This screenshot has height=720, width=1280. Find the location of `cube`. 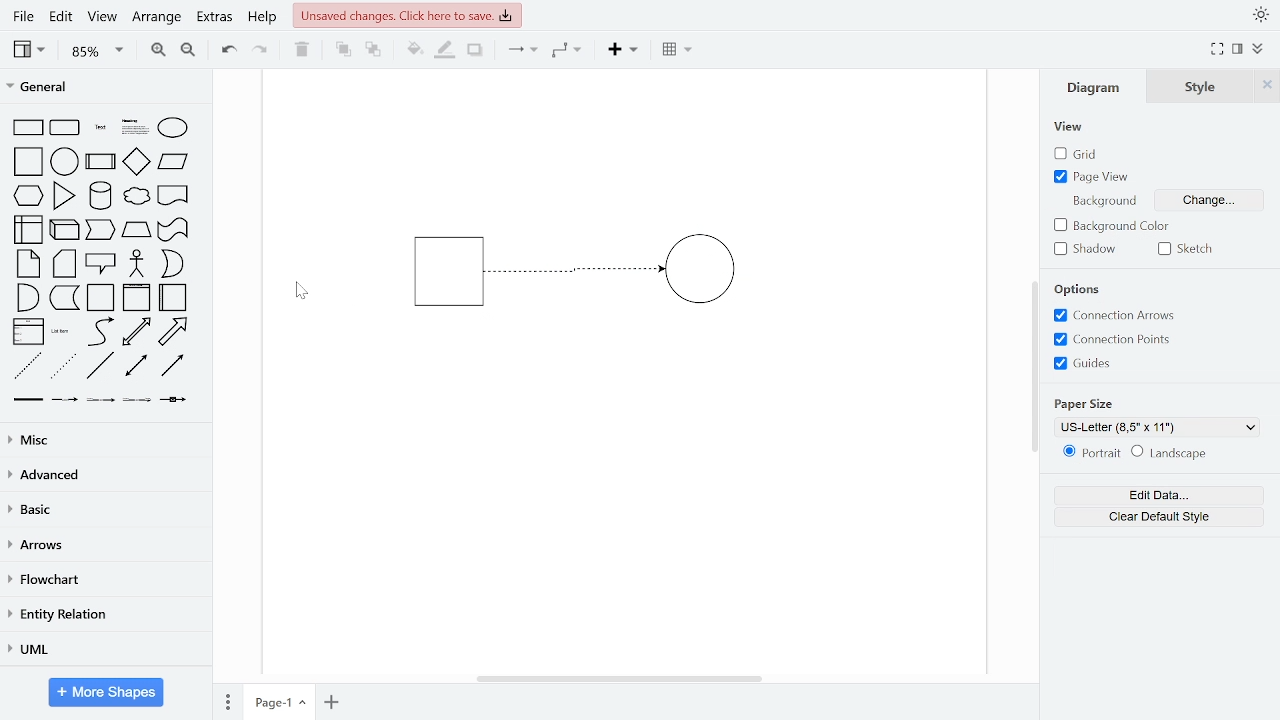

cube is located at coordinates (66, 228).